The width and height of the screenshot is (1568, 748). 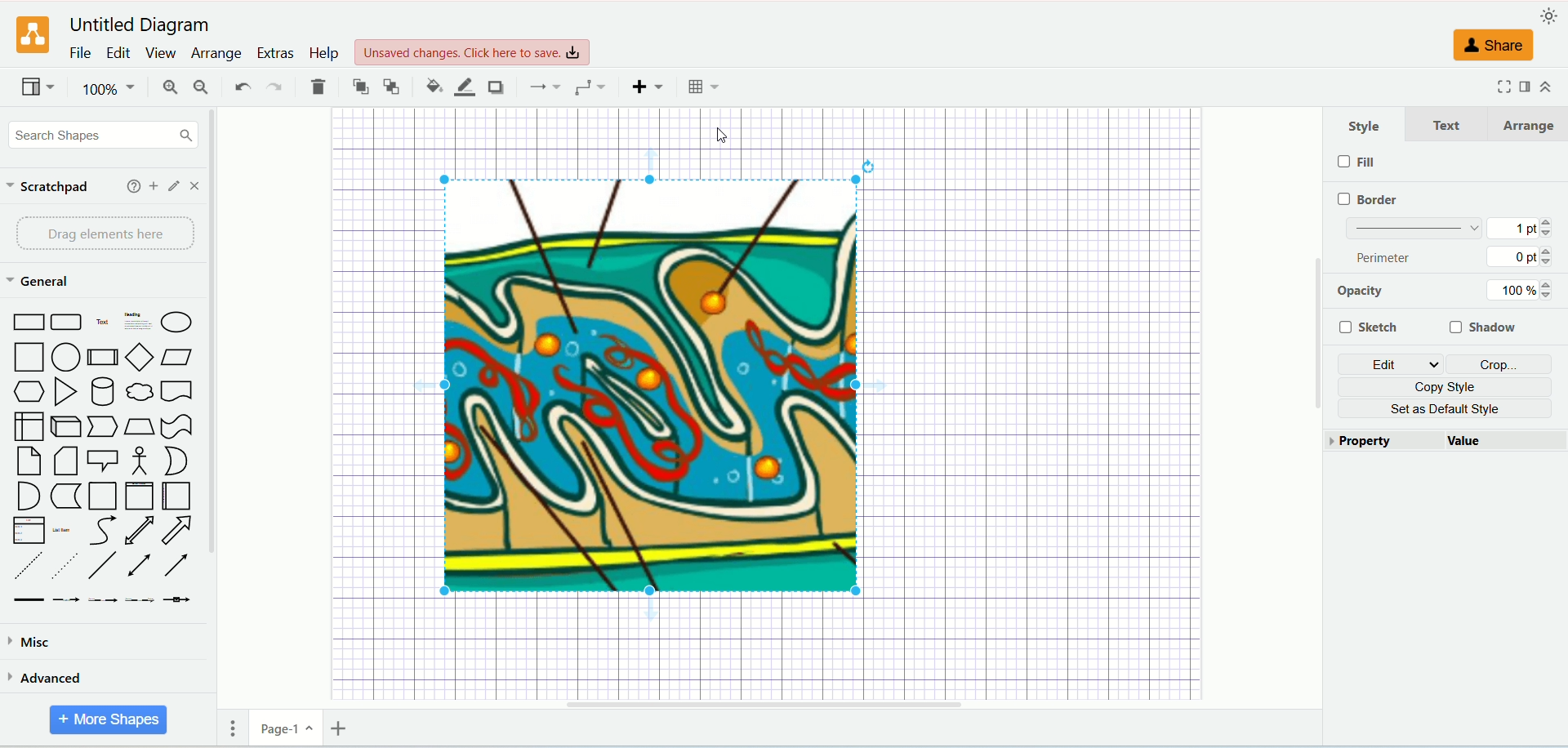 I want to click on help, so click(x=325, y=52).